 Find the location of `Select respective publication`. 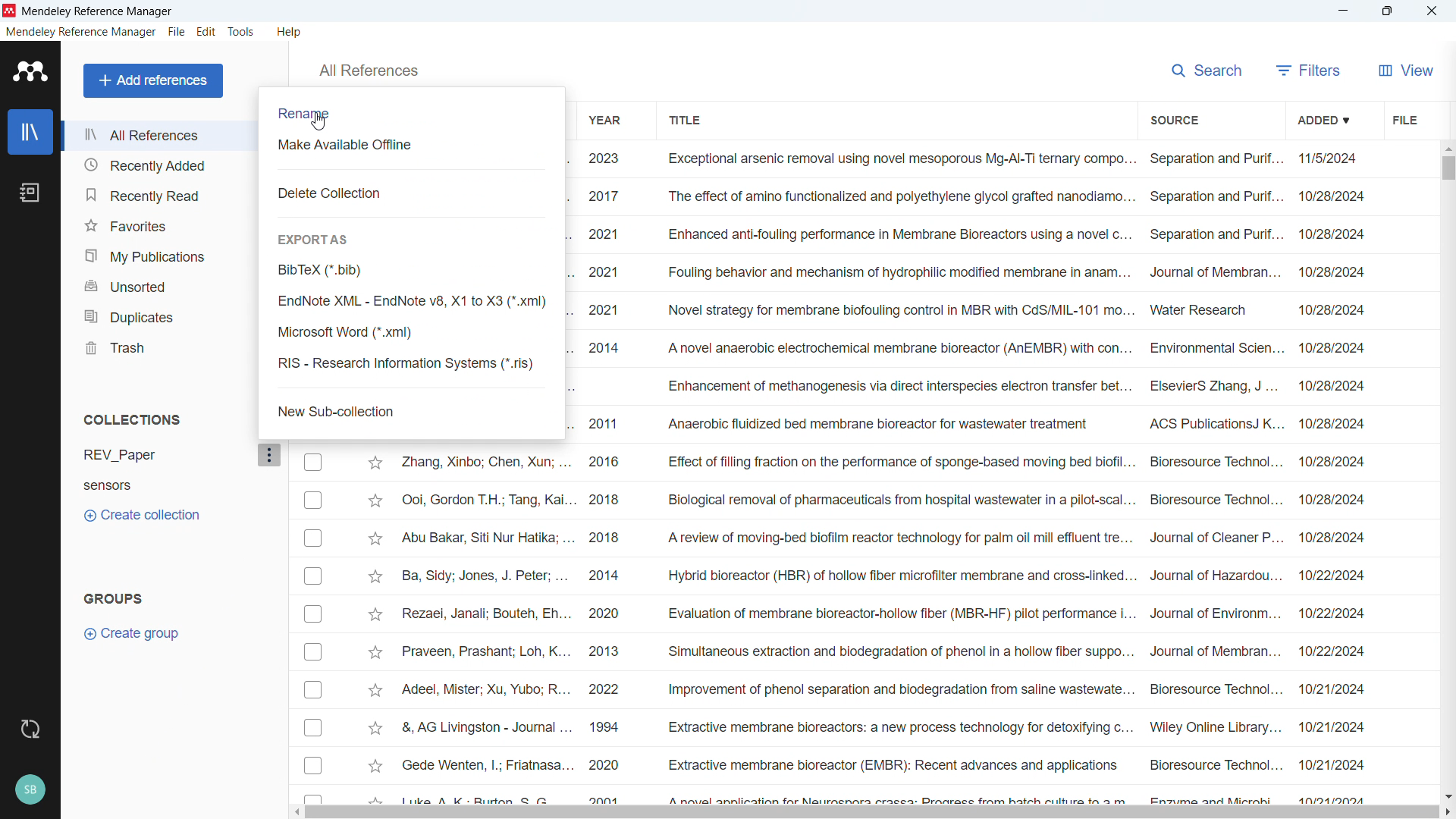

Select respective publication is located at coordinates (313, 690).